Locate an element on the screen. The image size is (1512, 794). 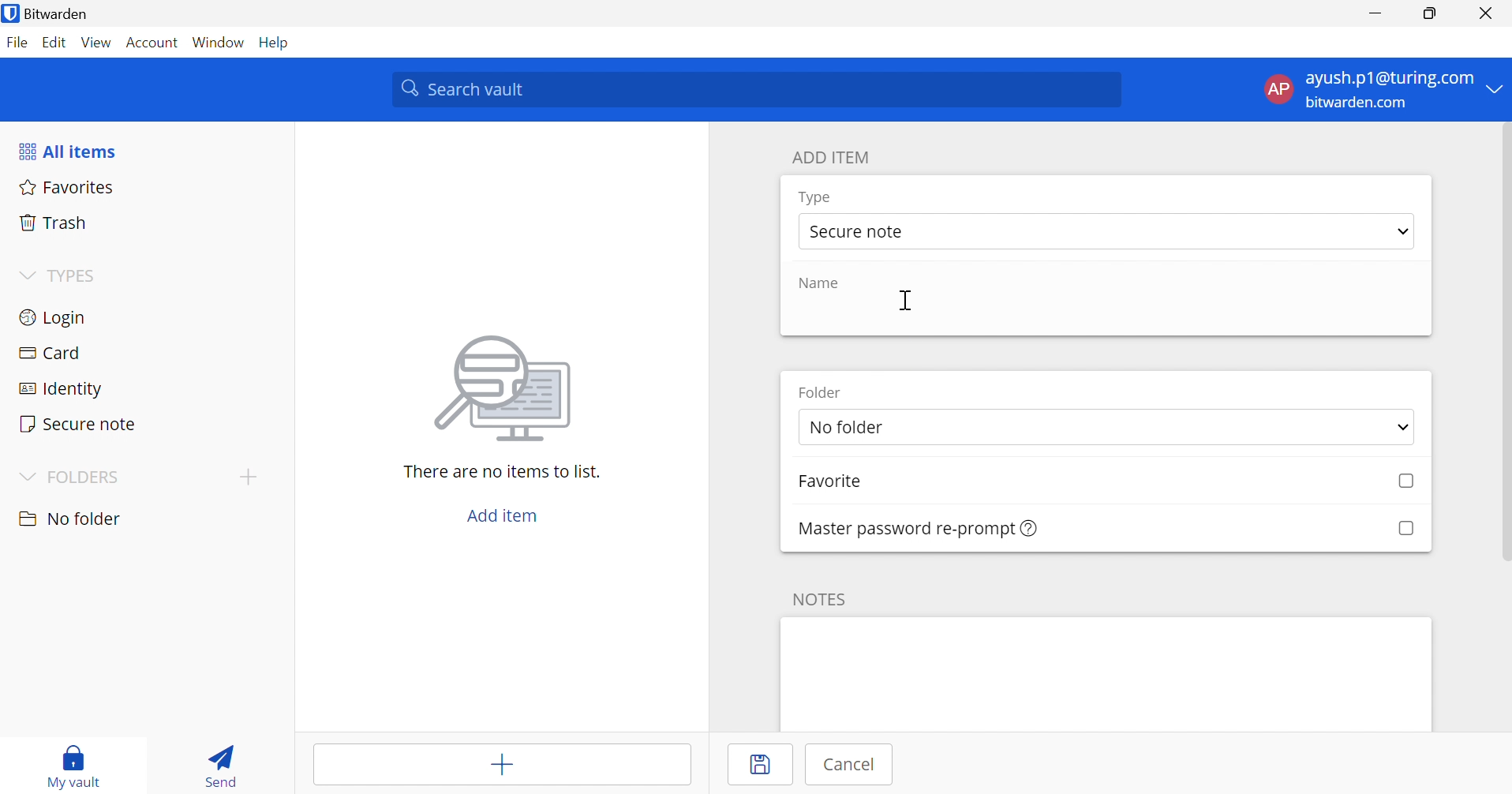
Secure note is located at coordinates (79, 423).